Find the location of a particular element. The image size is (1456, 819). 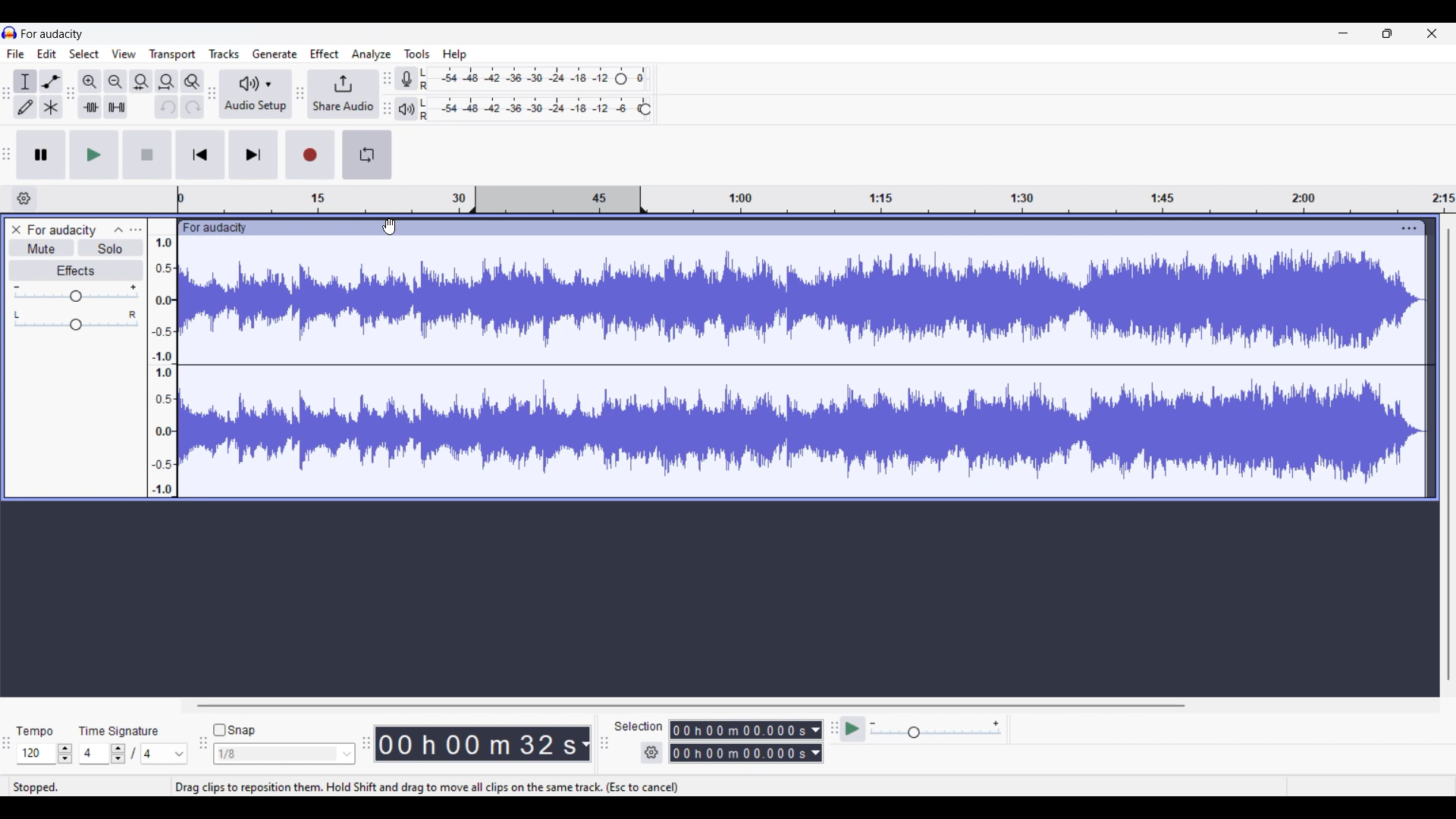

Skip/Select to start is located at coordinates (201, 154).